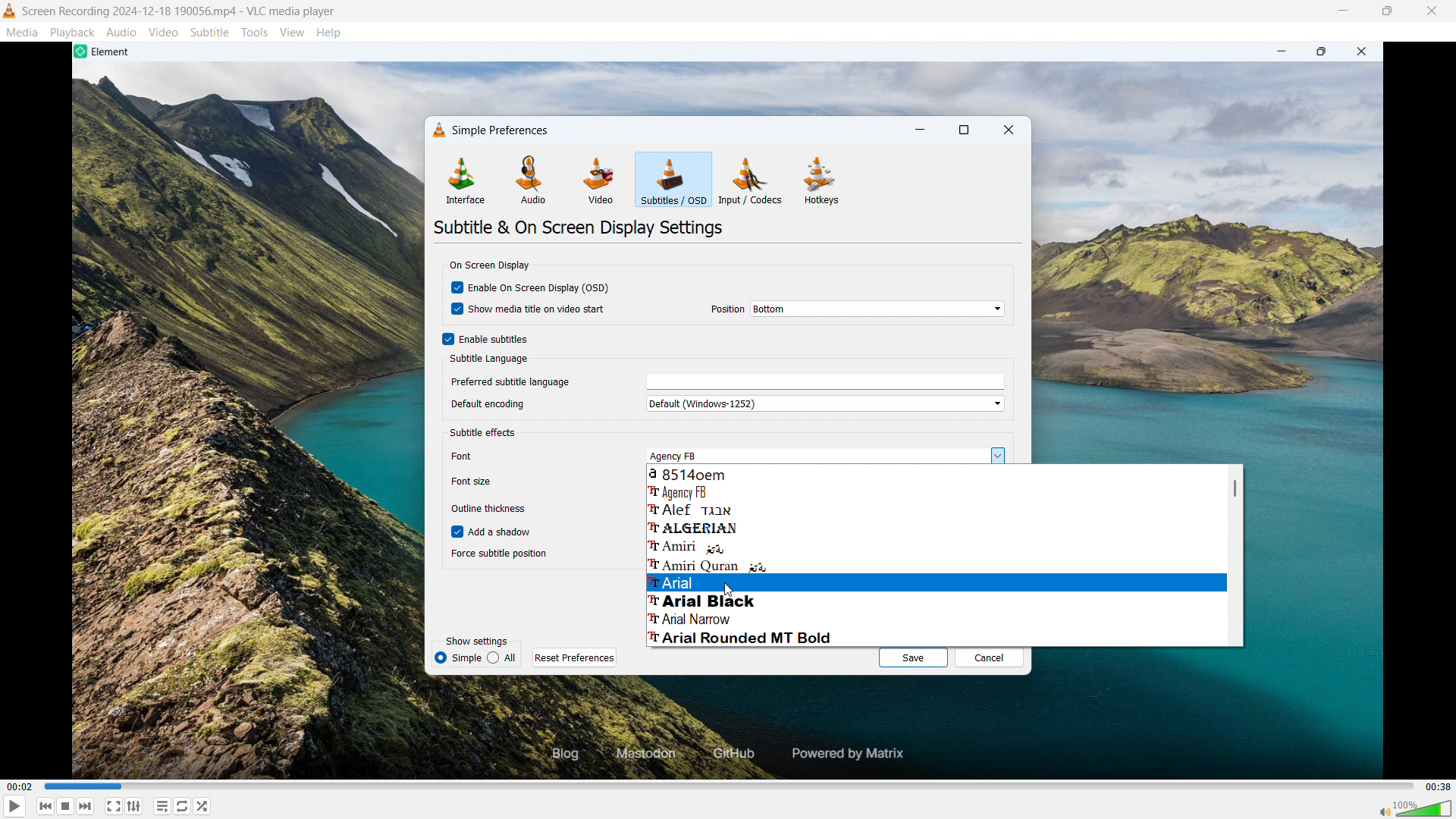  What do you see at coordinates (912, 657) in the screenshot?
I see `save` at bounding box center [912, 657].